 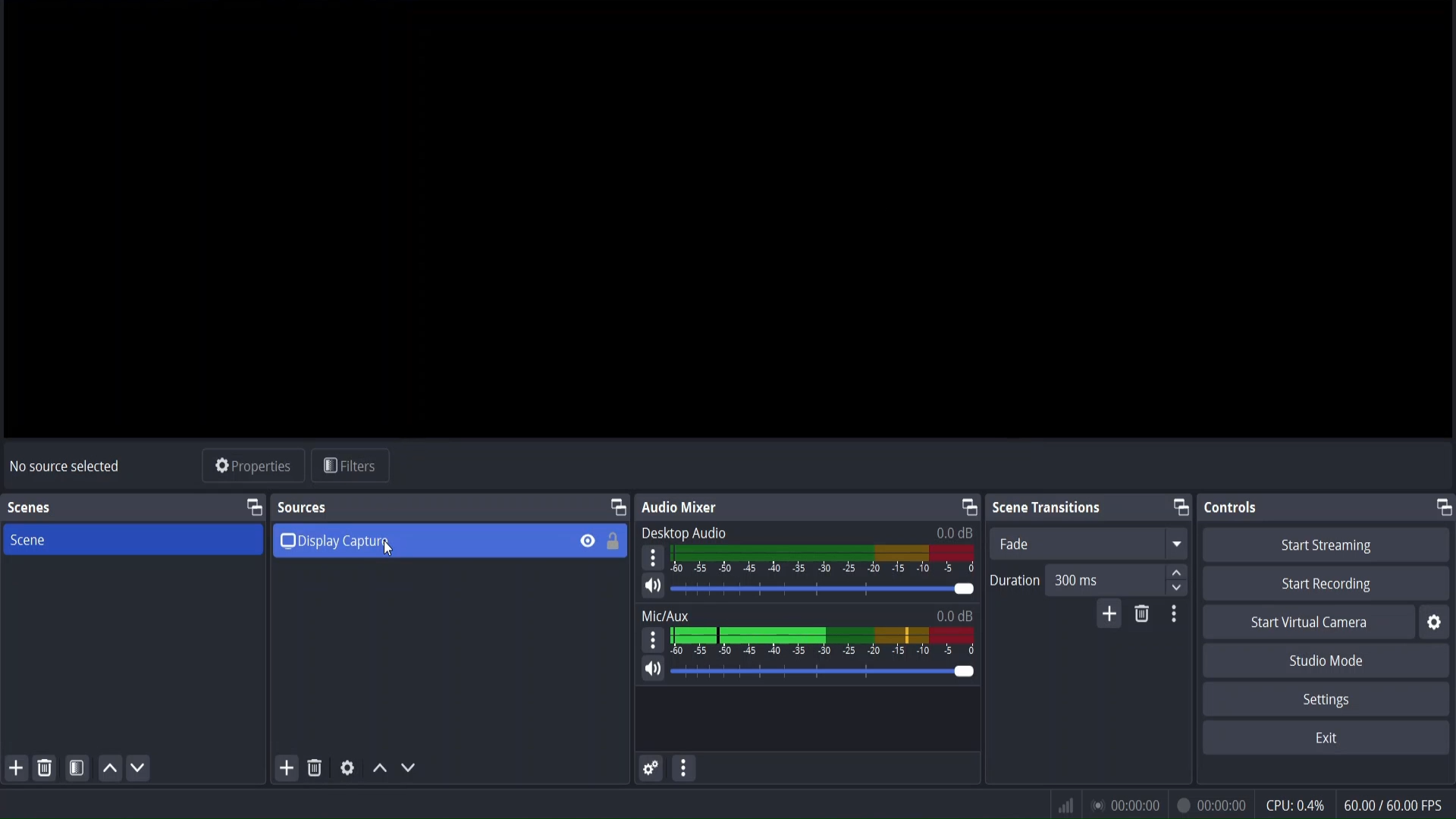 What do you see at coordinates (1181, 560) in the screenshot?
I see `up/down button` at bounding box center [1181, 560].